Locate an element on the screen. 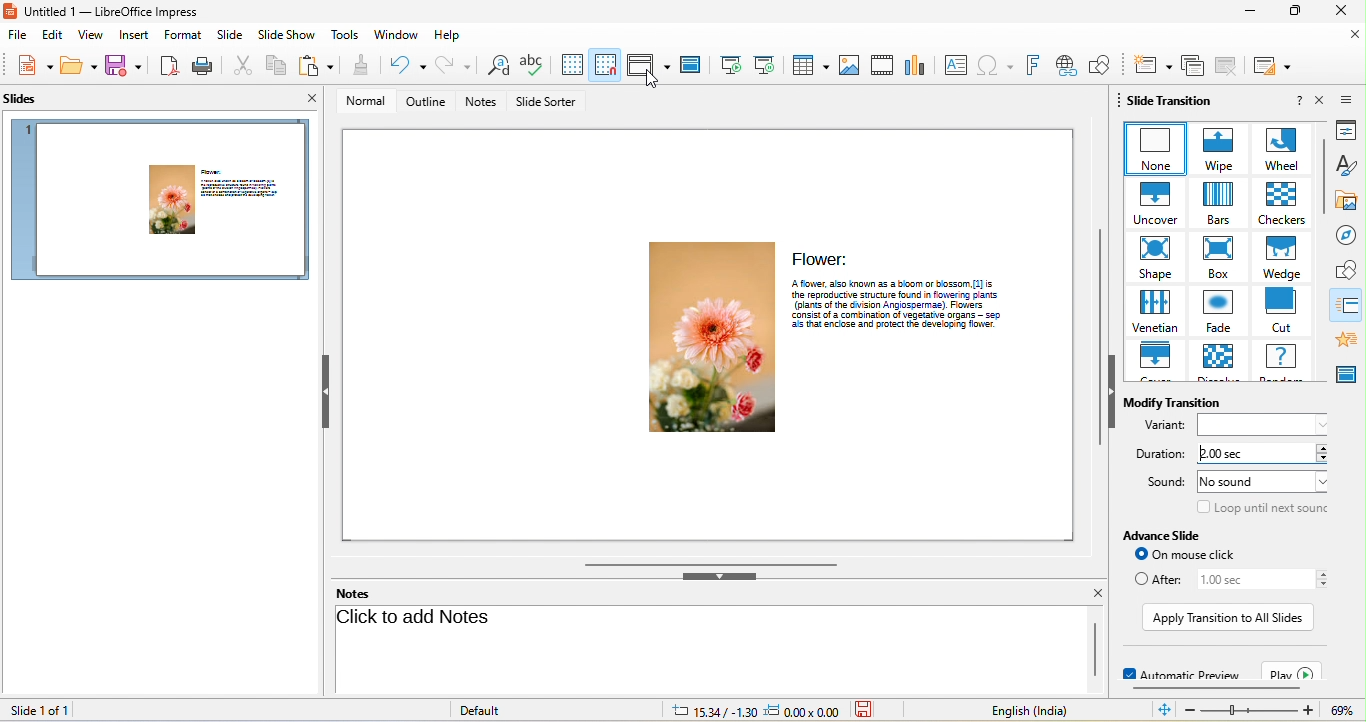  dissolve is located at coordinates (1216, 362).